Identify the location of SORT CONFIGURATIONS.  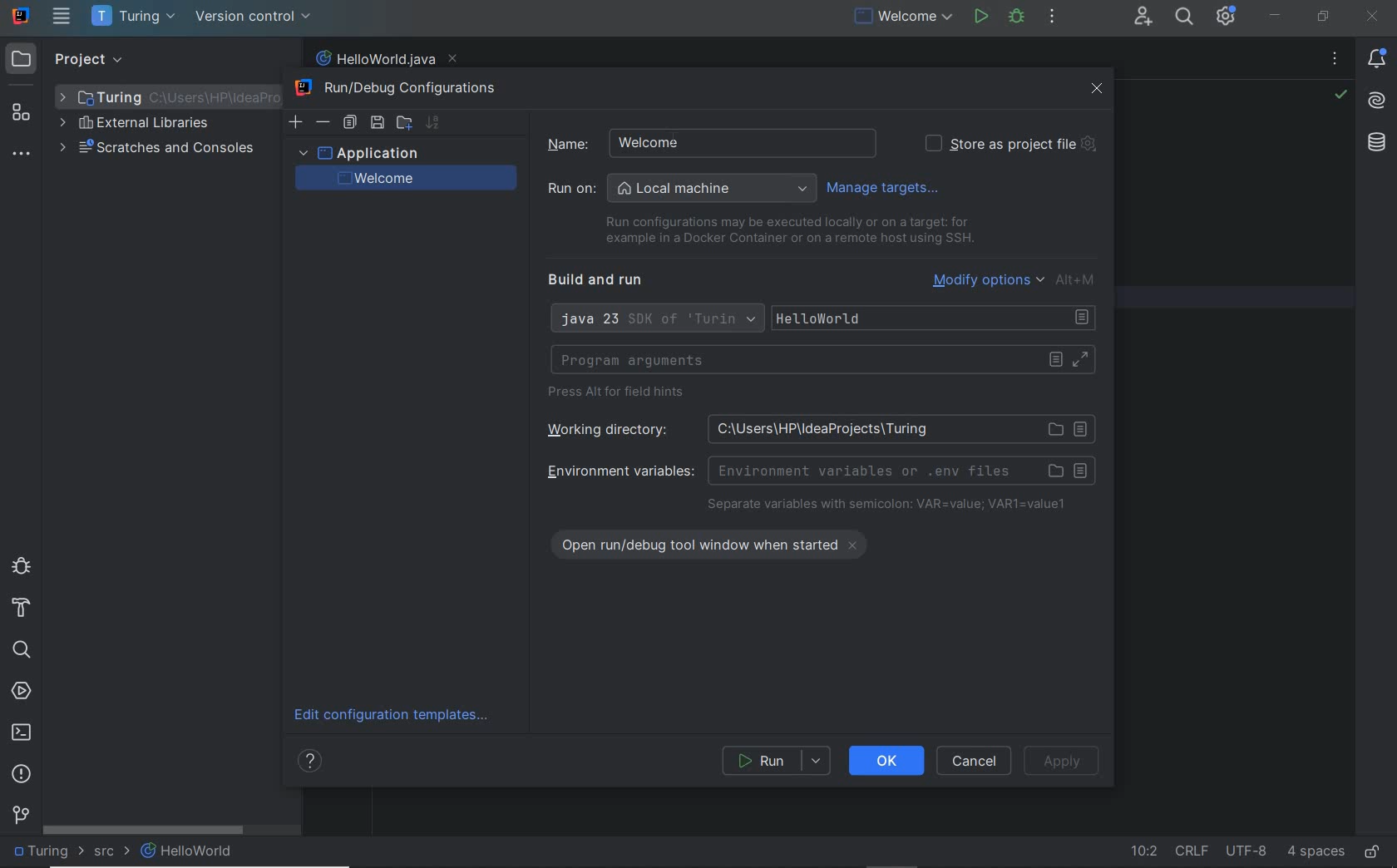
(432, 122).